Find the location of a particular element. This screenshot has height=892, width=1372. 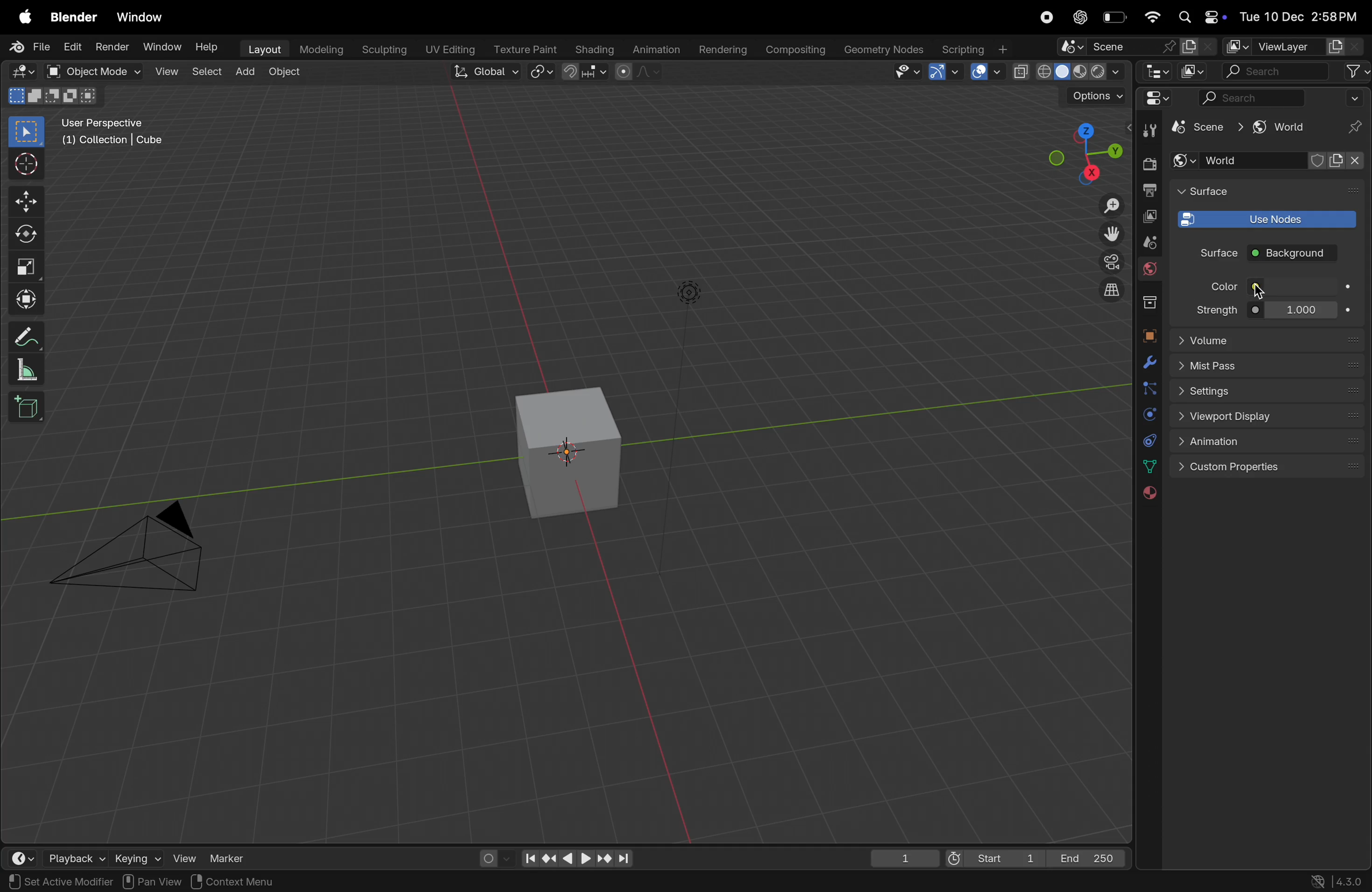

Tool is located at coordinates (1152, 129).